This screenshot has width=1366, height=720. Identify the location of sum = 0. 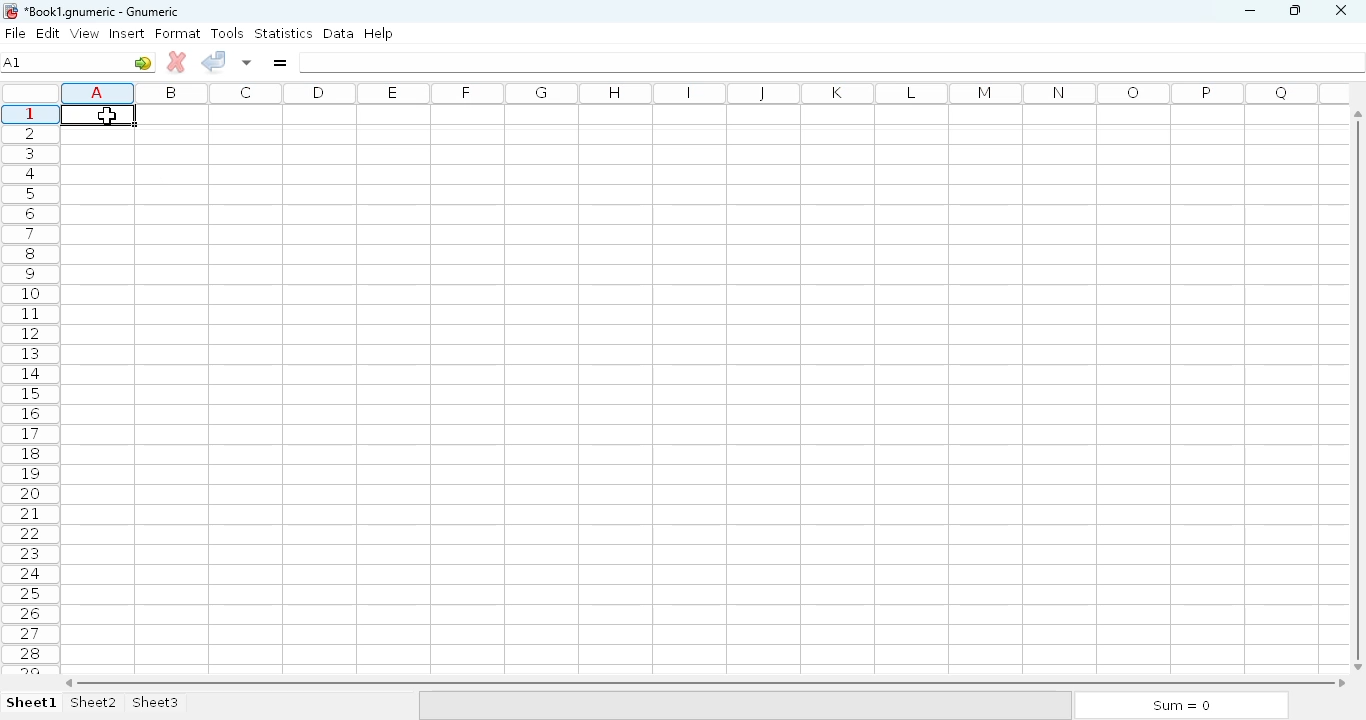
(1179, 706).